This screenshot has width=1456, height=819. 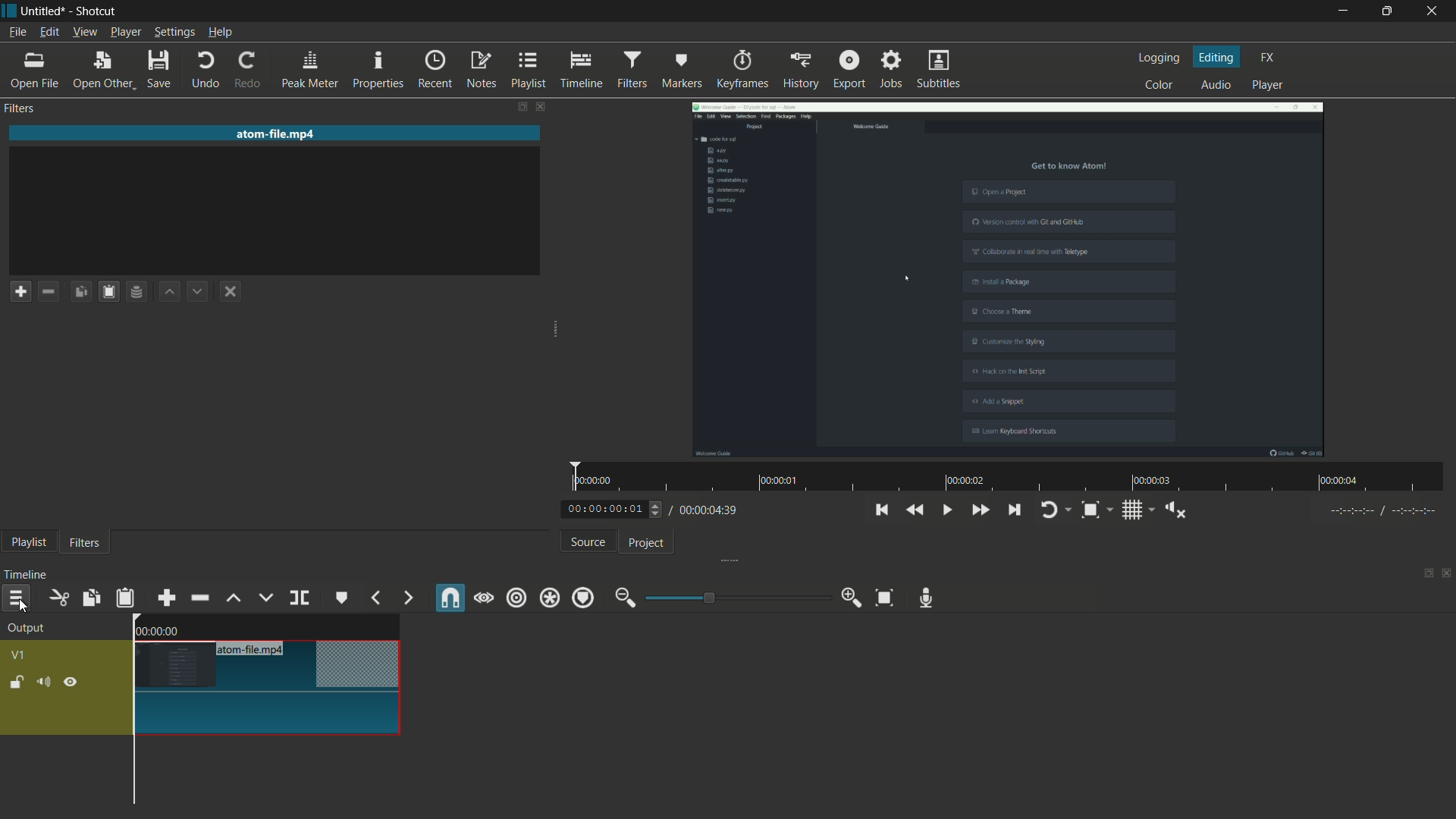 I want to click on snap, so click(x=447, y=598).